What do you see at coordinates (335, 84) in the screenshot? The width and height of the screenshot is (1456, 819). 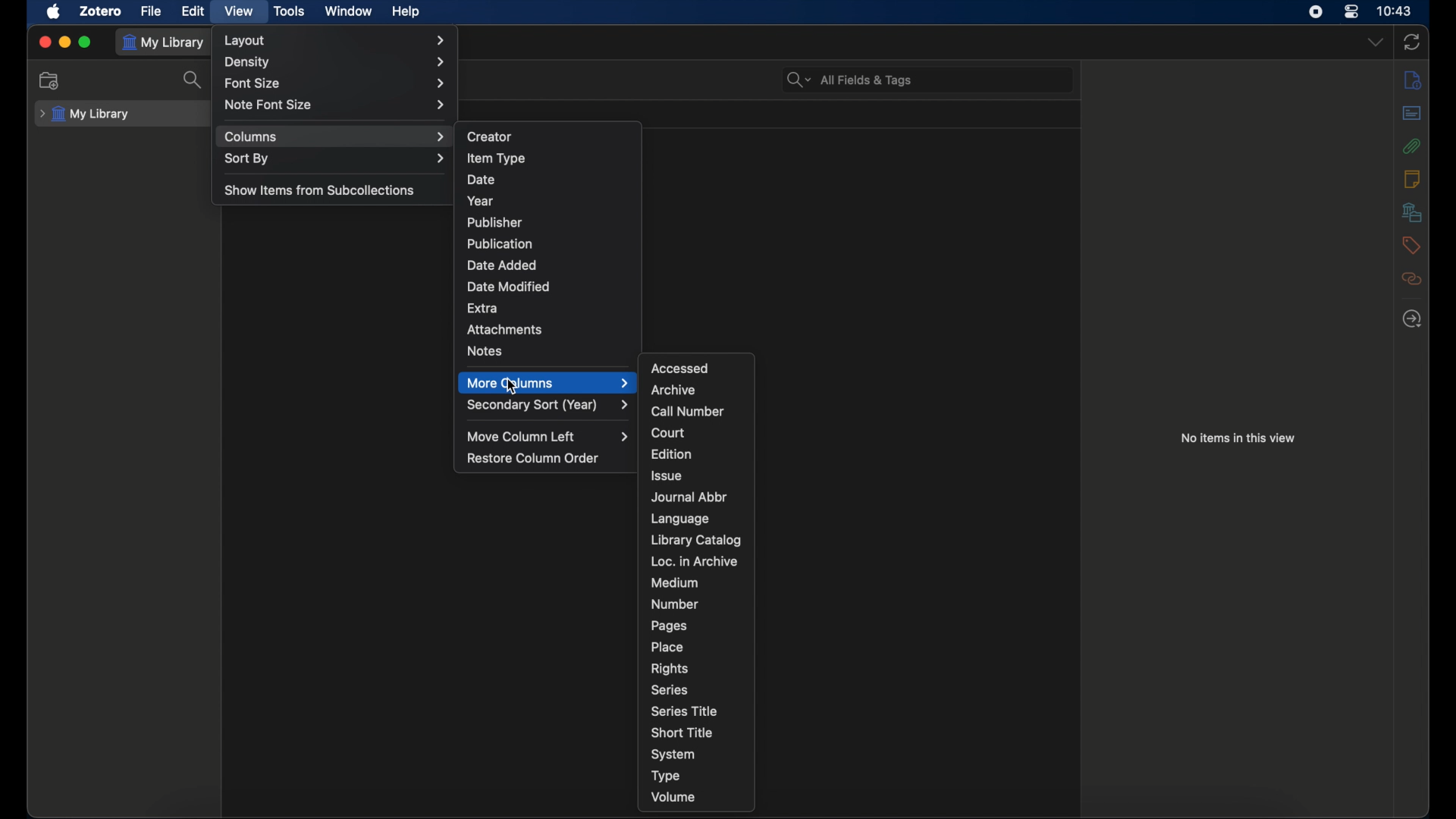 I see `font size` at bounding box center [335, 84].